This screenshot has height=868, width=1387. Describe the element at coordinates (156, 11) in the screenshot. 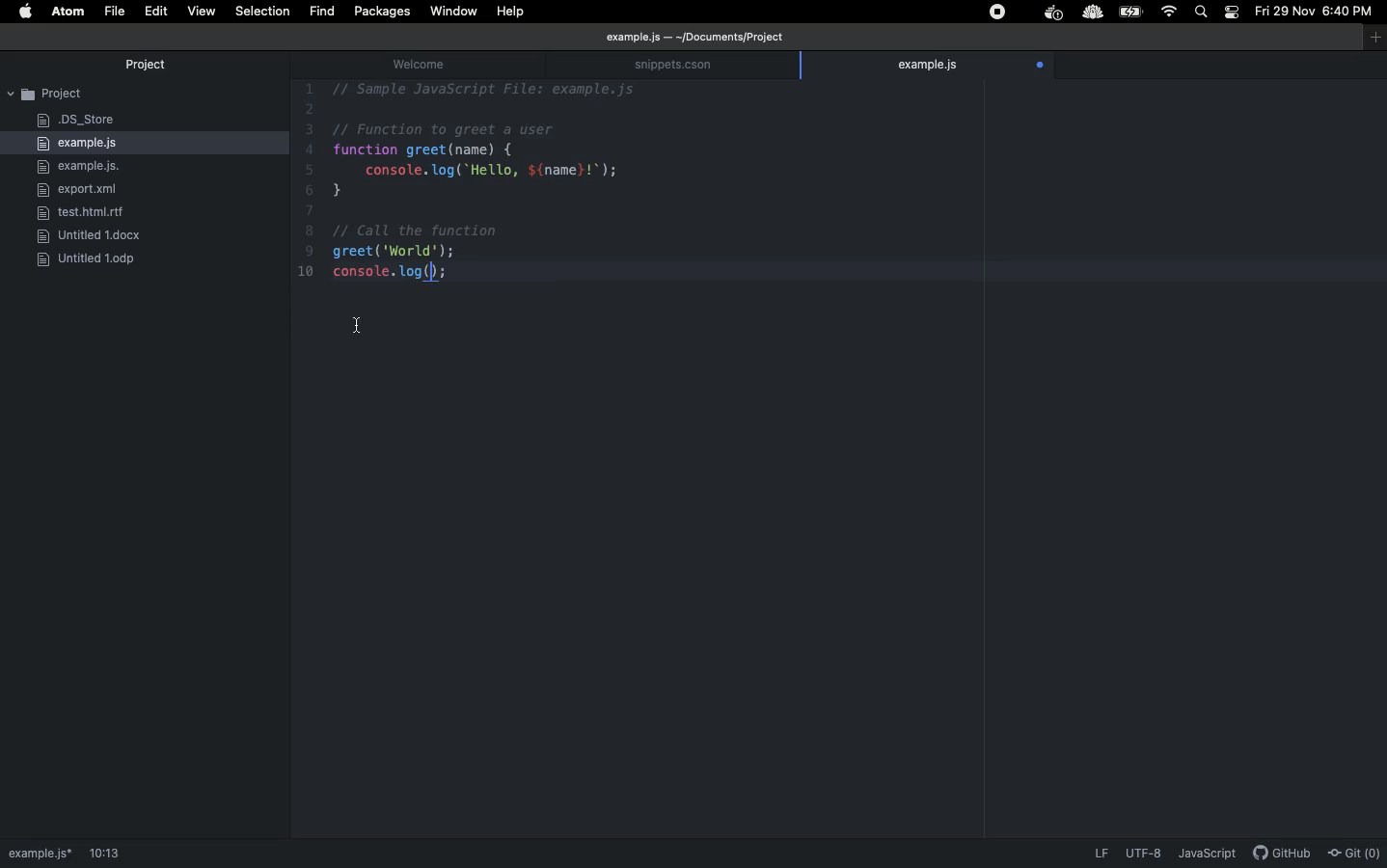

I see `Edit` at that location.